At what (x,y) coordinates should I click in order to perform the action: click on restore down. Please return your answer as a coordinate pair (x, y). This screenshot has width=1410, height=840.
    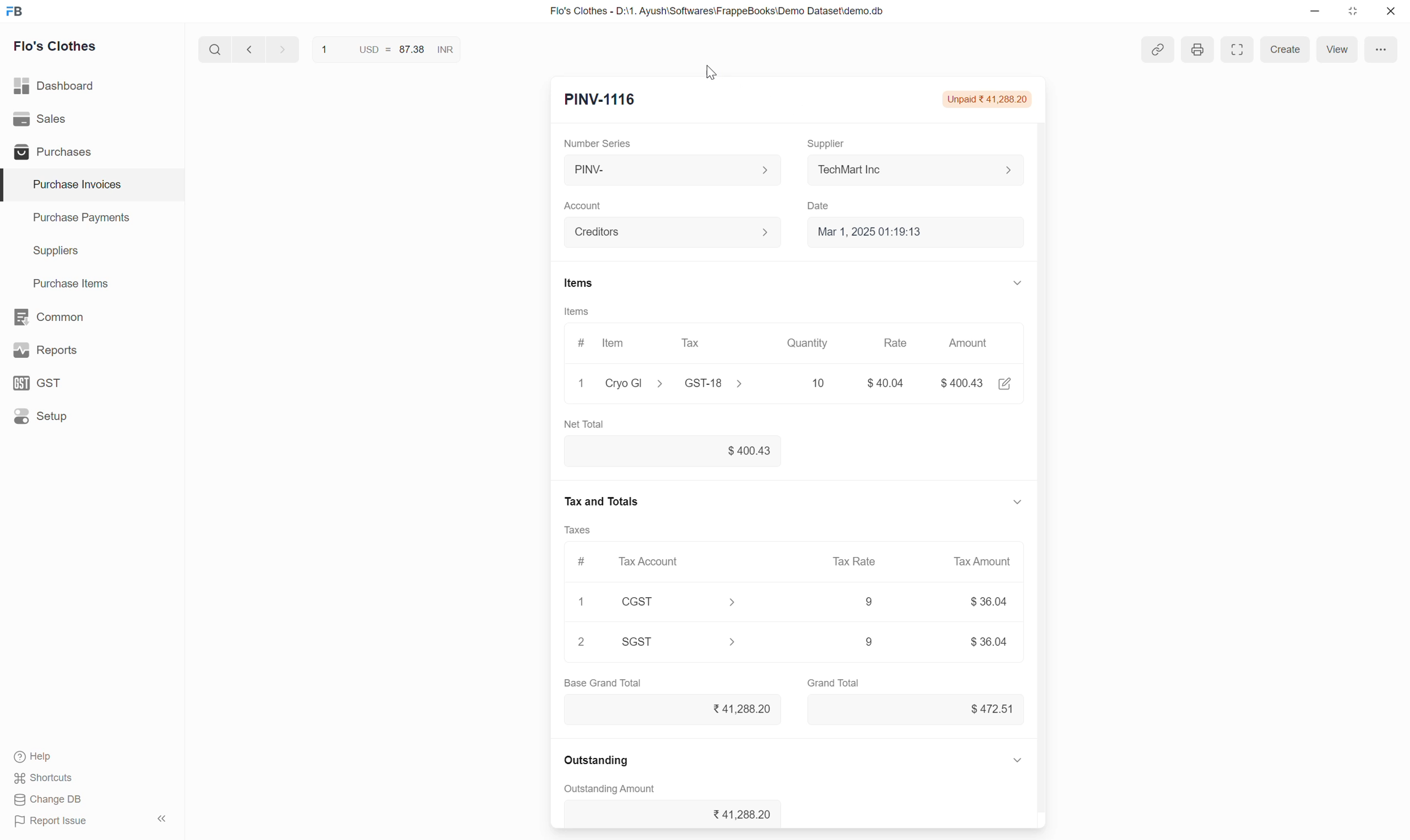
    Looking at the image, I should click on (1351, 14).